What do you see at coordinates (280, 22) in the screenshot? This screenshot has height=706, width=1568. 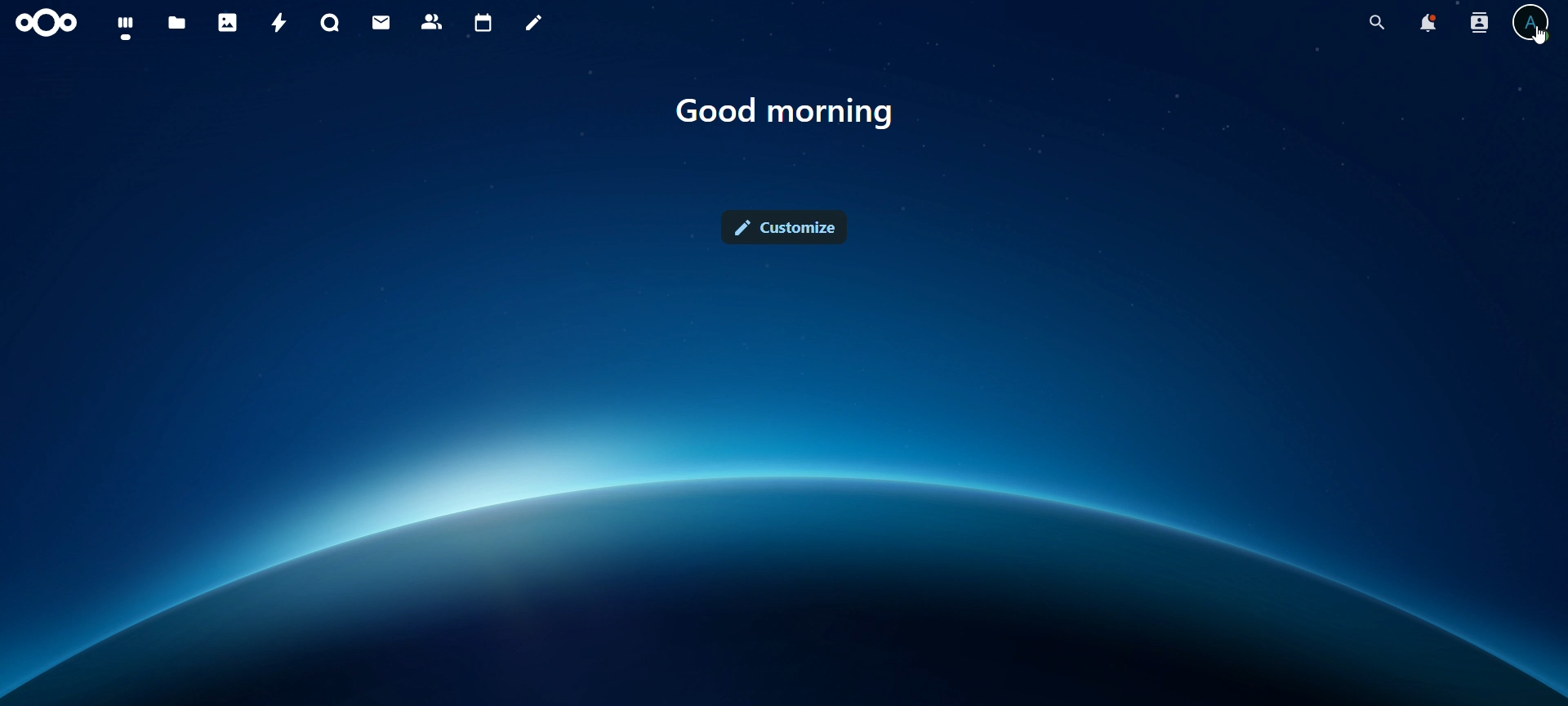 I see `activity` at bounding box center [280, 22].